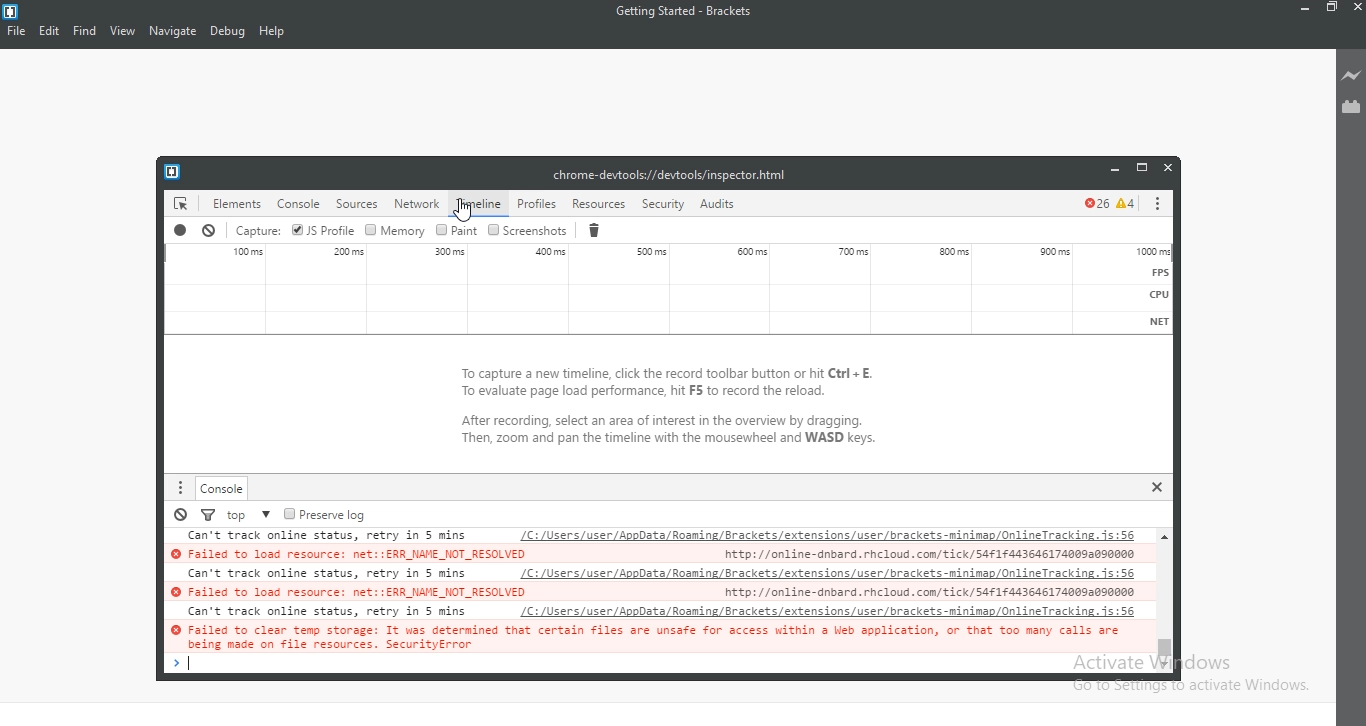 Image resolution: width=1366 pixels, height=726 pixels. Describe the element at coordinates (172, 172) in the screenshot. I see `logo` at that location.